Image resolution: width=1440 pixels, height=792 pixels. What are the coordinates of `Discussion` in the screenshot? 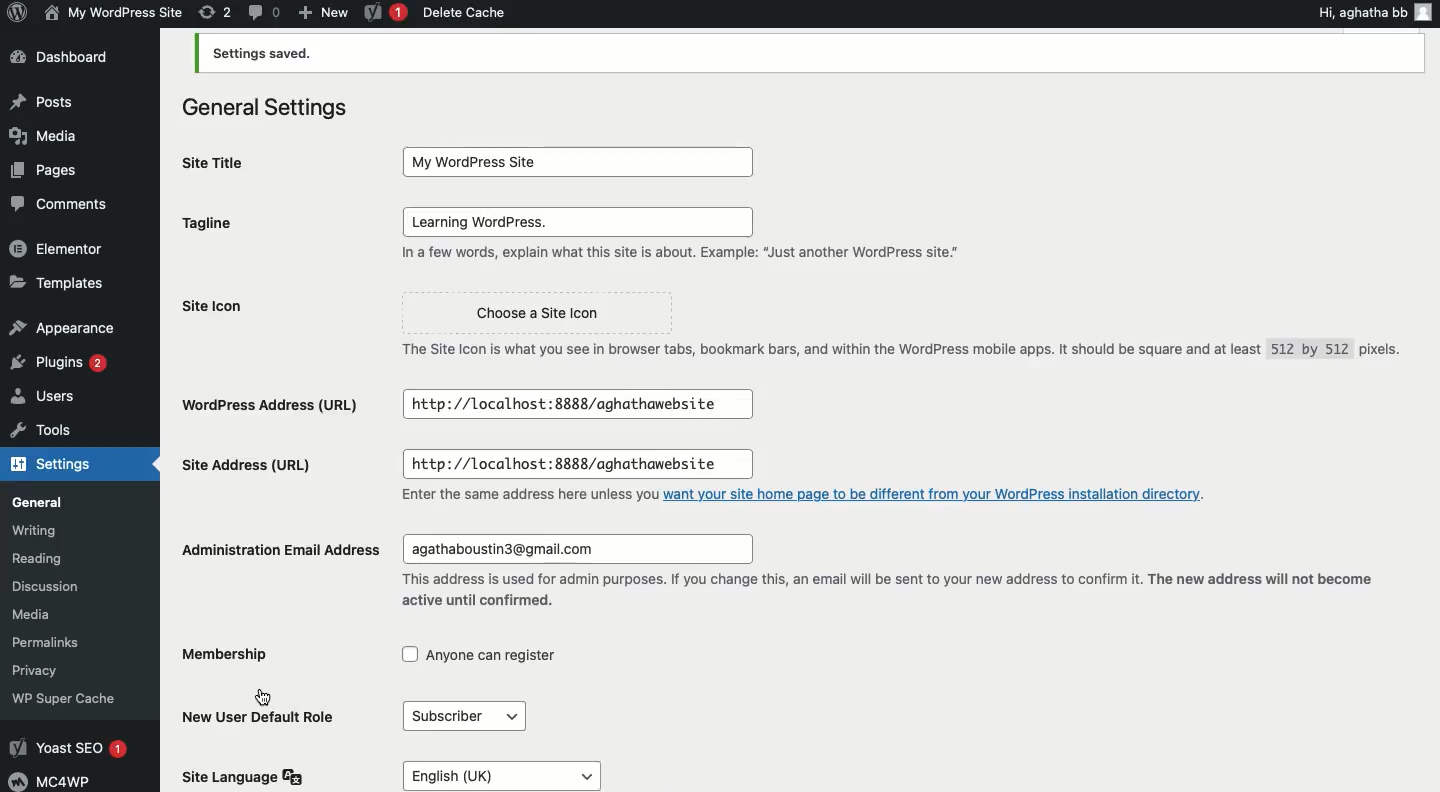 It's located at (57, 585).